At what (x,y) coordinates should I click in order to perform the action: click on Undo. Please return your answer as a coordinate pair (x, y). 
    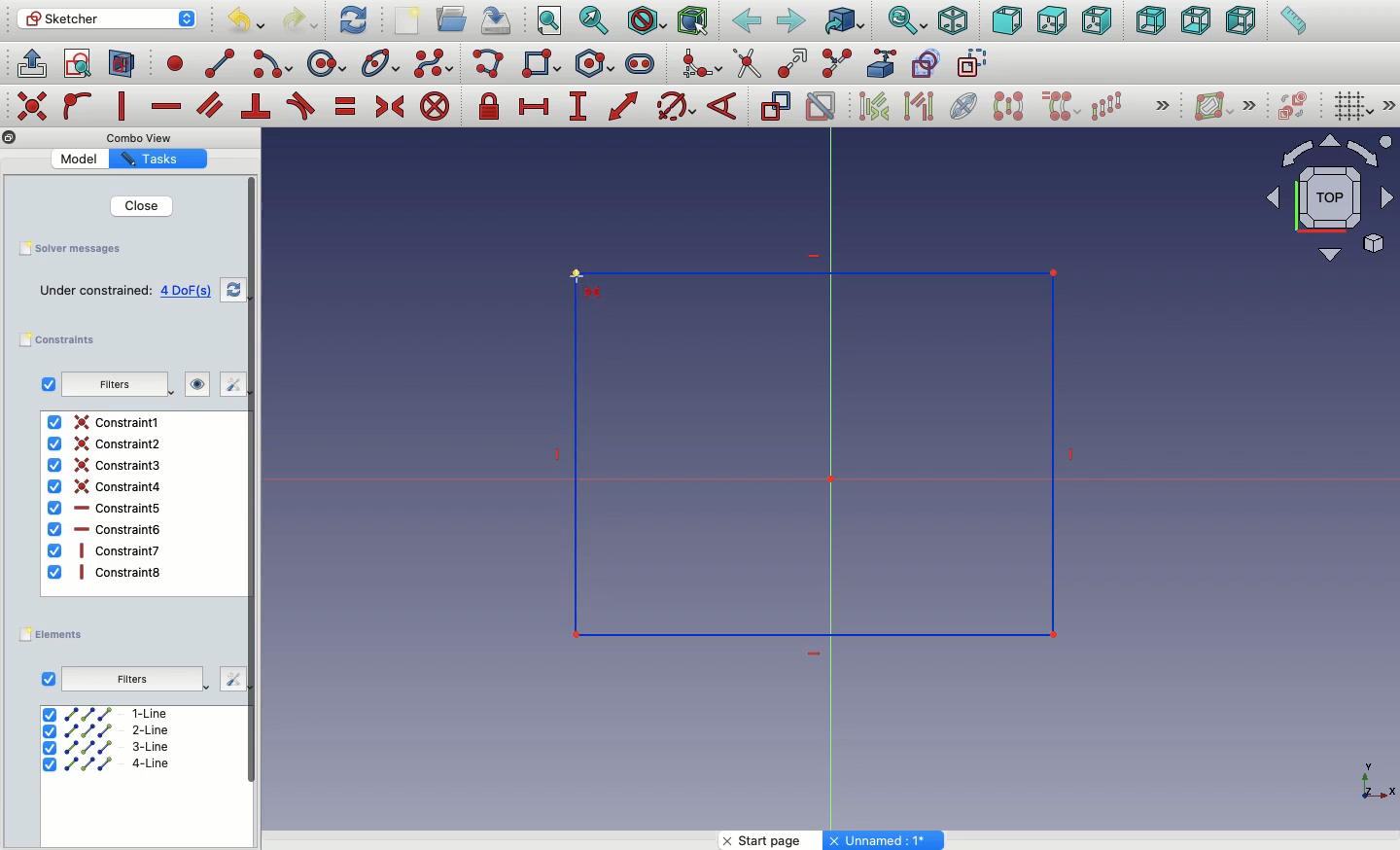
    Looking at the image, I should click on (249, 23).